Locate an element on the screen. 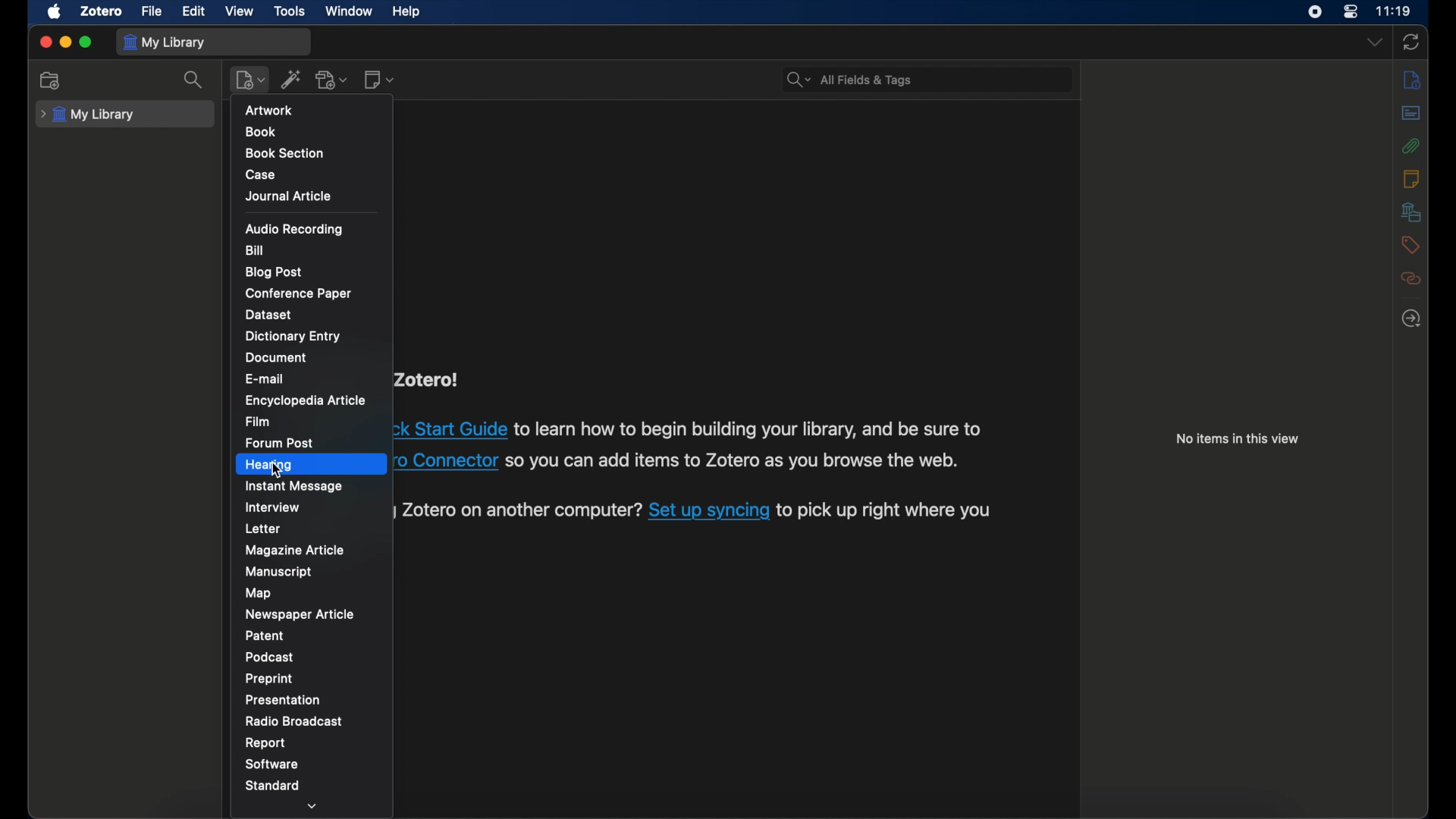 Image resolution: width=1456 pixels, height=819 pixels. file is located at coordinates (152, 12).